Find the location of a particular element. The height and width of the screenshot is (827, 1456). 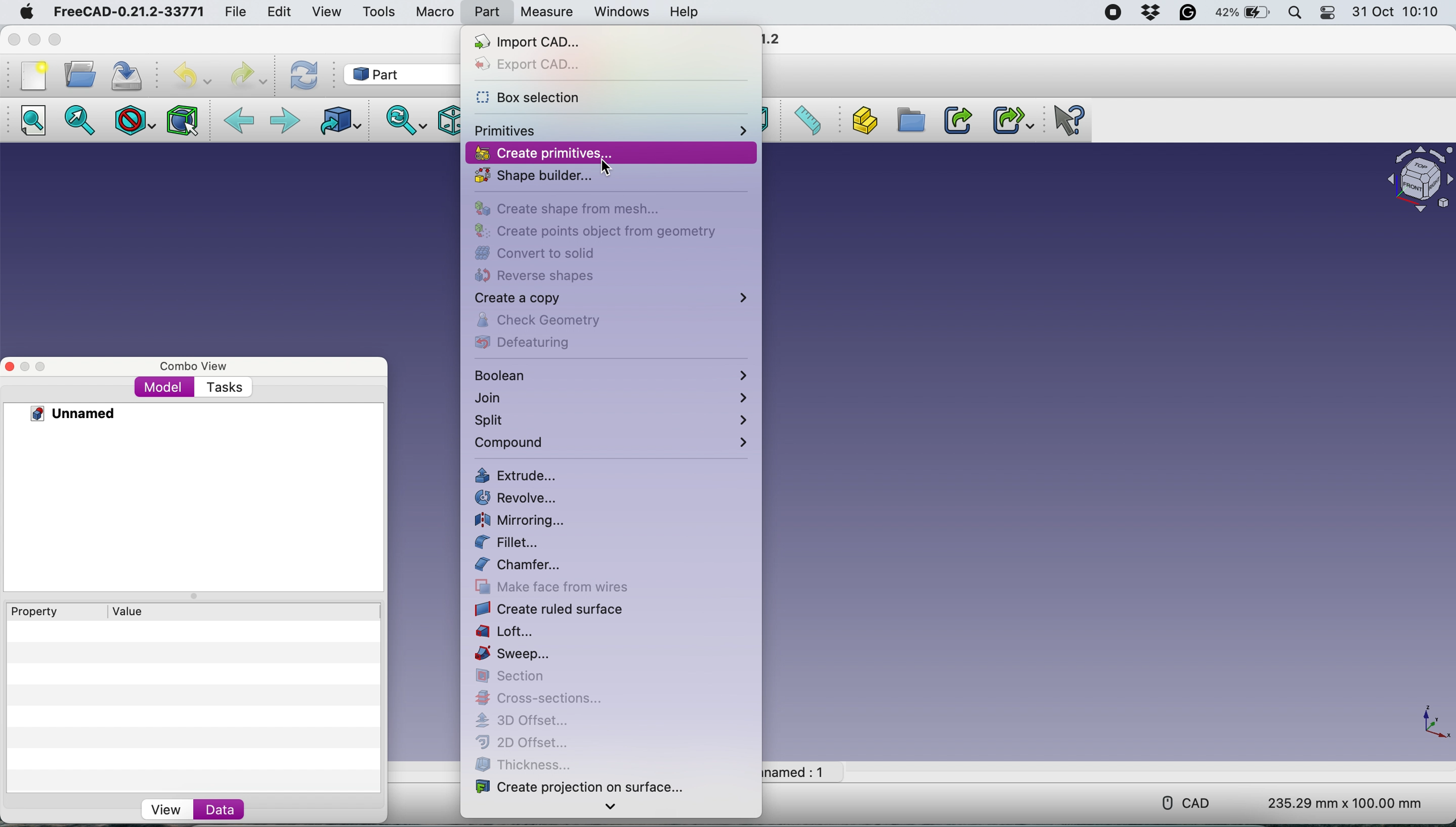

Tools is located at coordinates (381, 11).